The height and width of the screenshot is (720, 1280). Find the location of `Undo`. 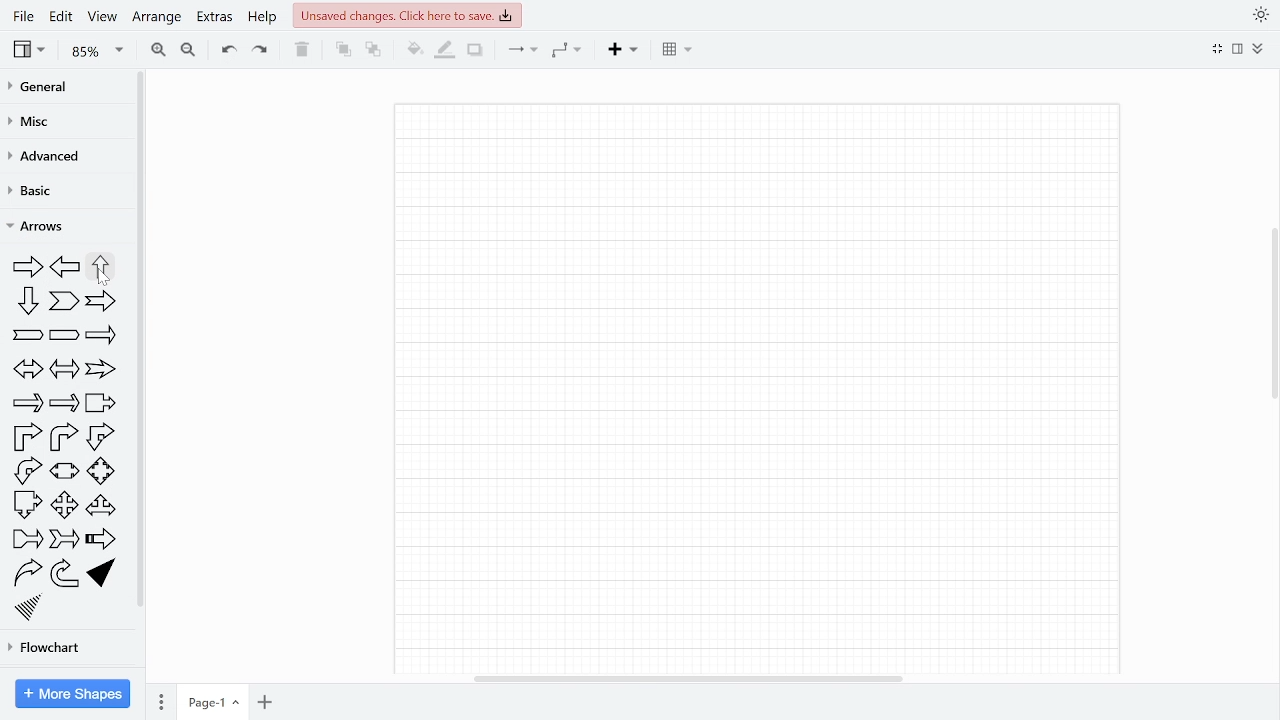

Undo is located at coordinates (226, 51).